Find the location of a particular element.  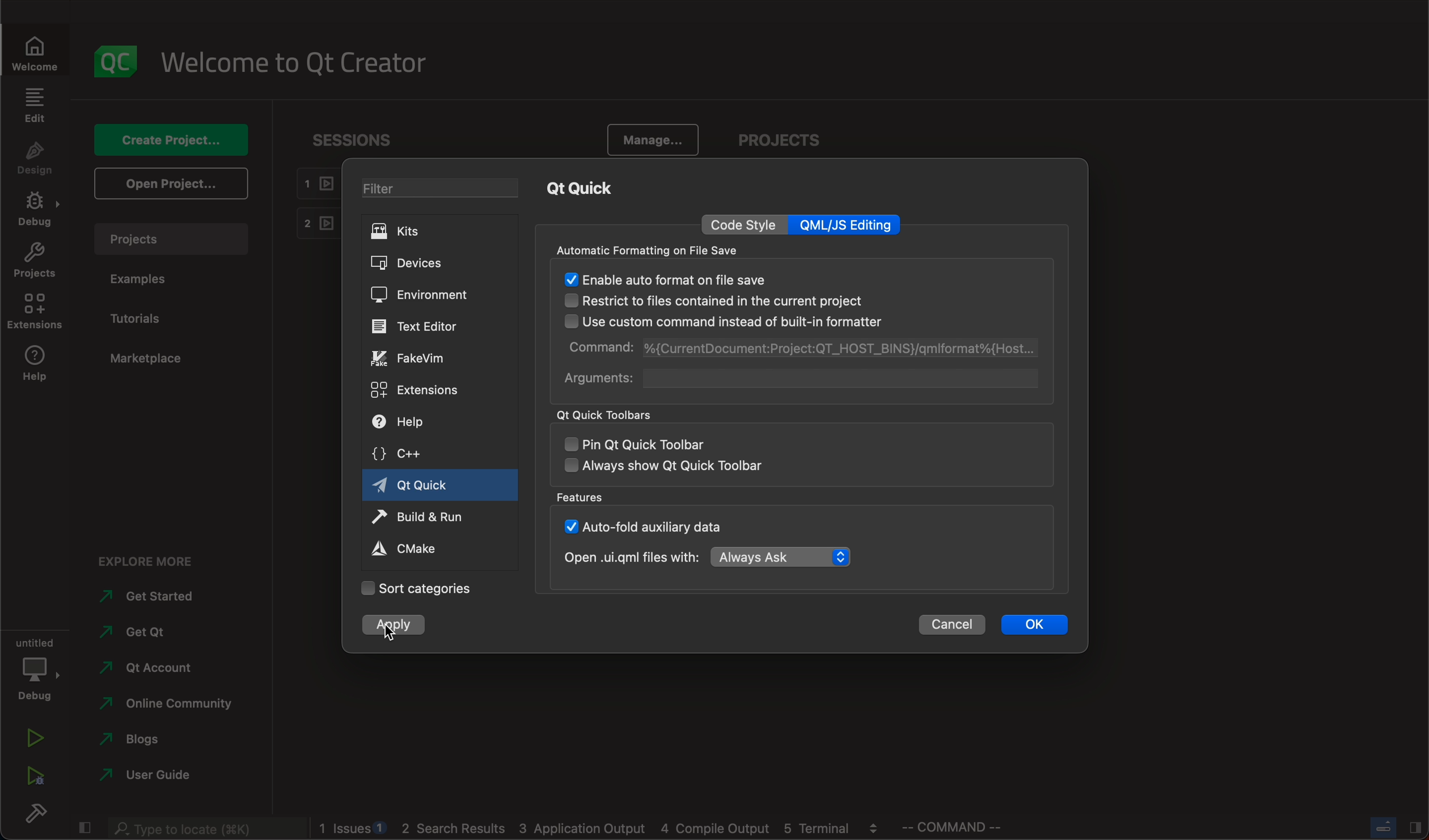

command is located at coordinates (803, 347).